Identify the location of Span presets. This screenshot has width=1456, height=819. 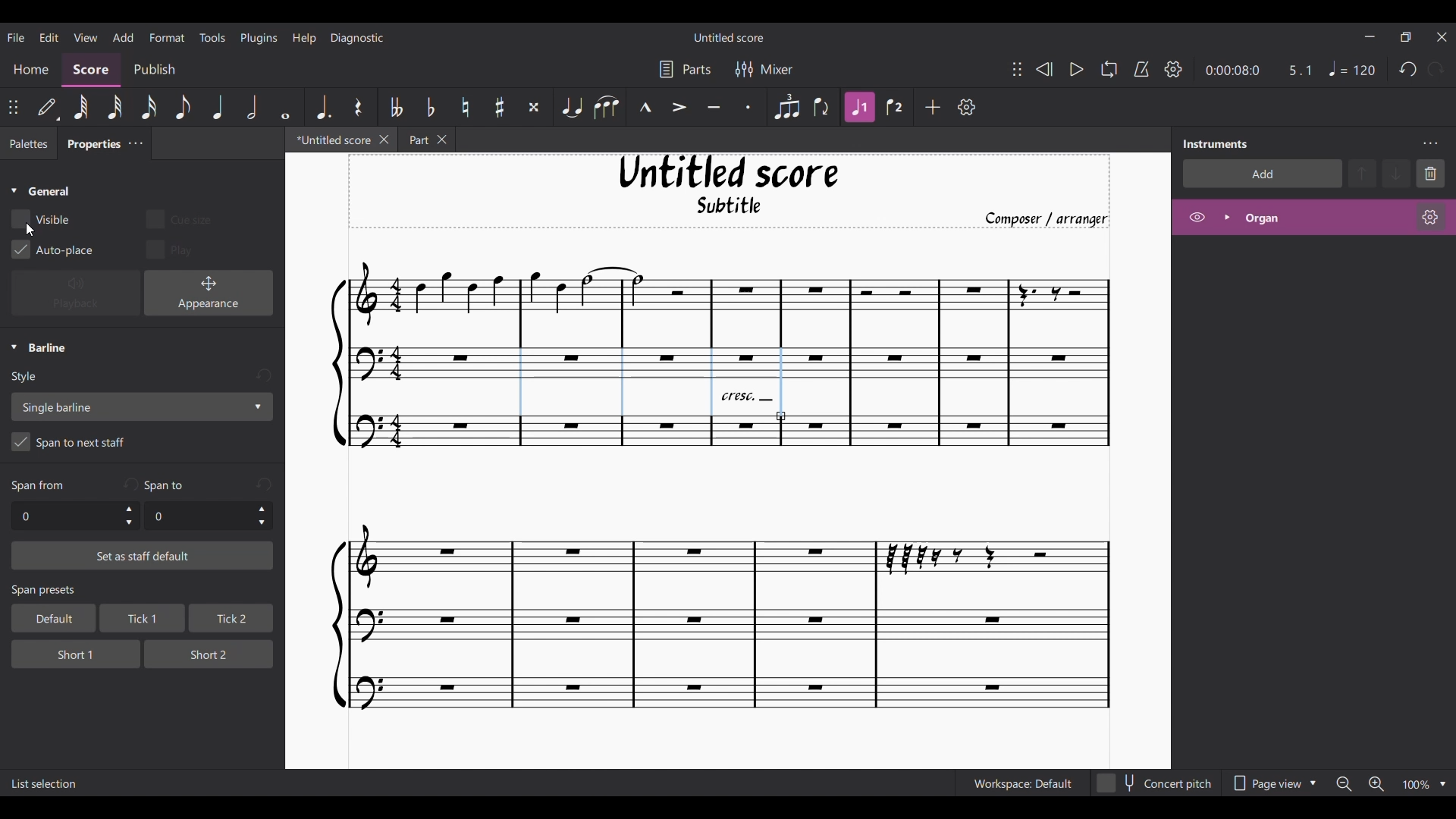
(143, 591).